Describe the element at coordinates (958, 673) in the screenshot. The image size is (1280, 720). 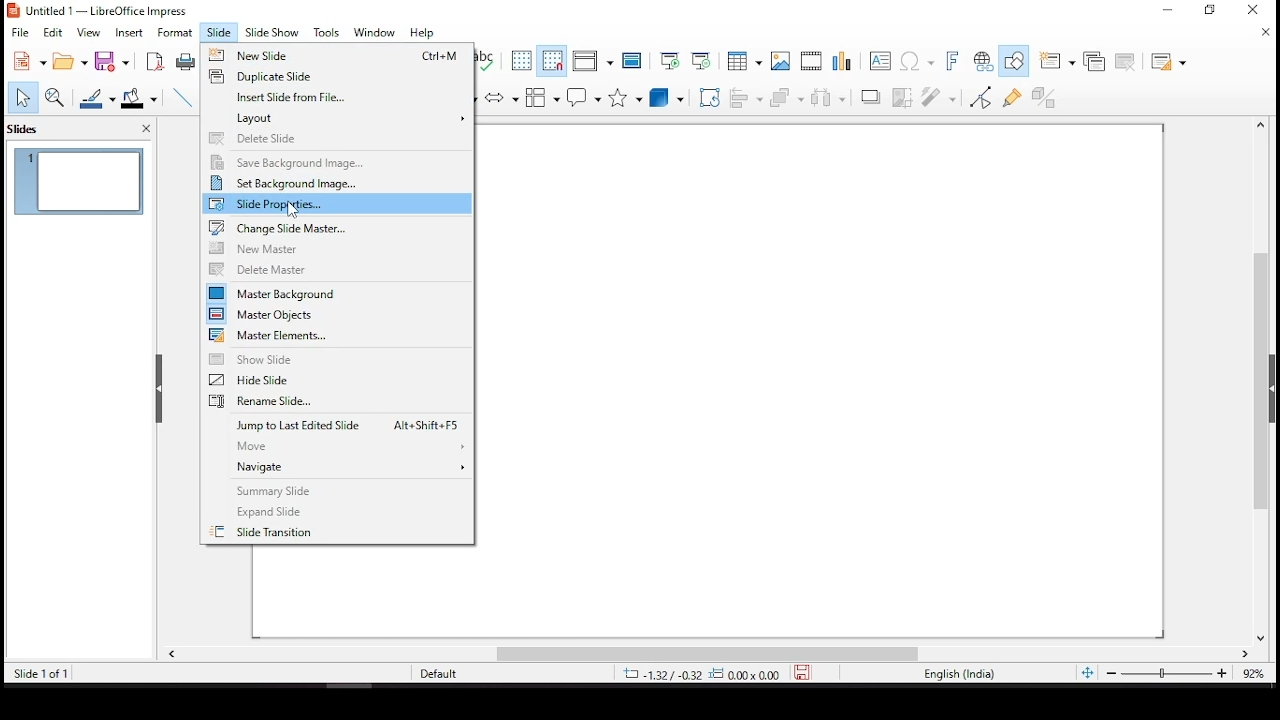
I see `english (india)` at that location.